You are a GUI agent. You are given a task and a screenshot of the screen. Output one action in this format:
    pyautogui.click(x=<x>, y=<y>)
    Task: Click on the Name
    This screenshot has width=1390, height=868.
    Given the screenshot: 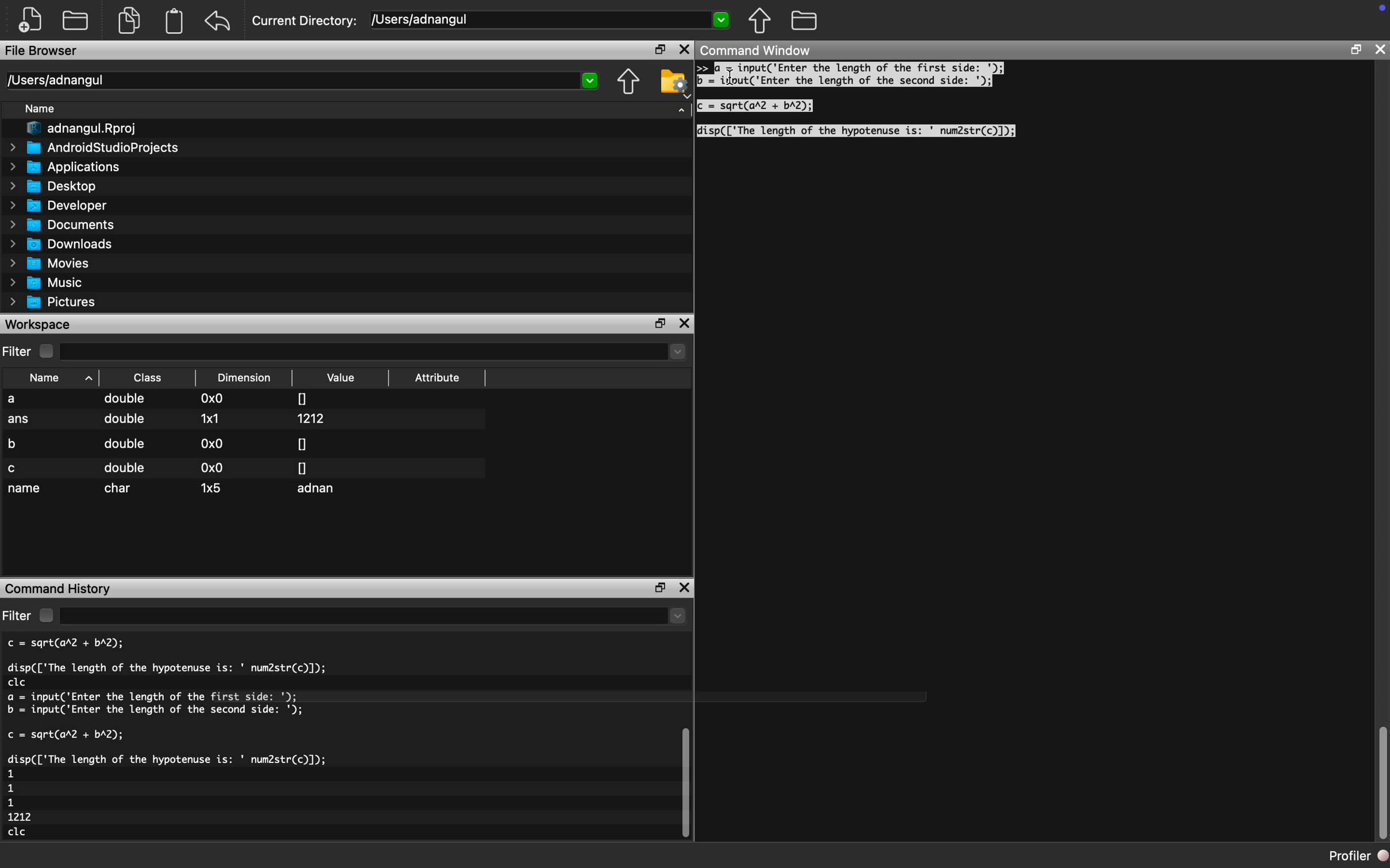 What is the action you would take?
    pyautogui.click(x=54, y=377)
    